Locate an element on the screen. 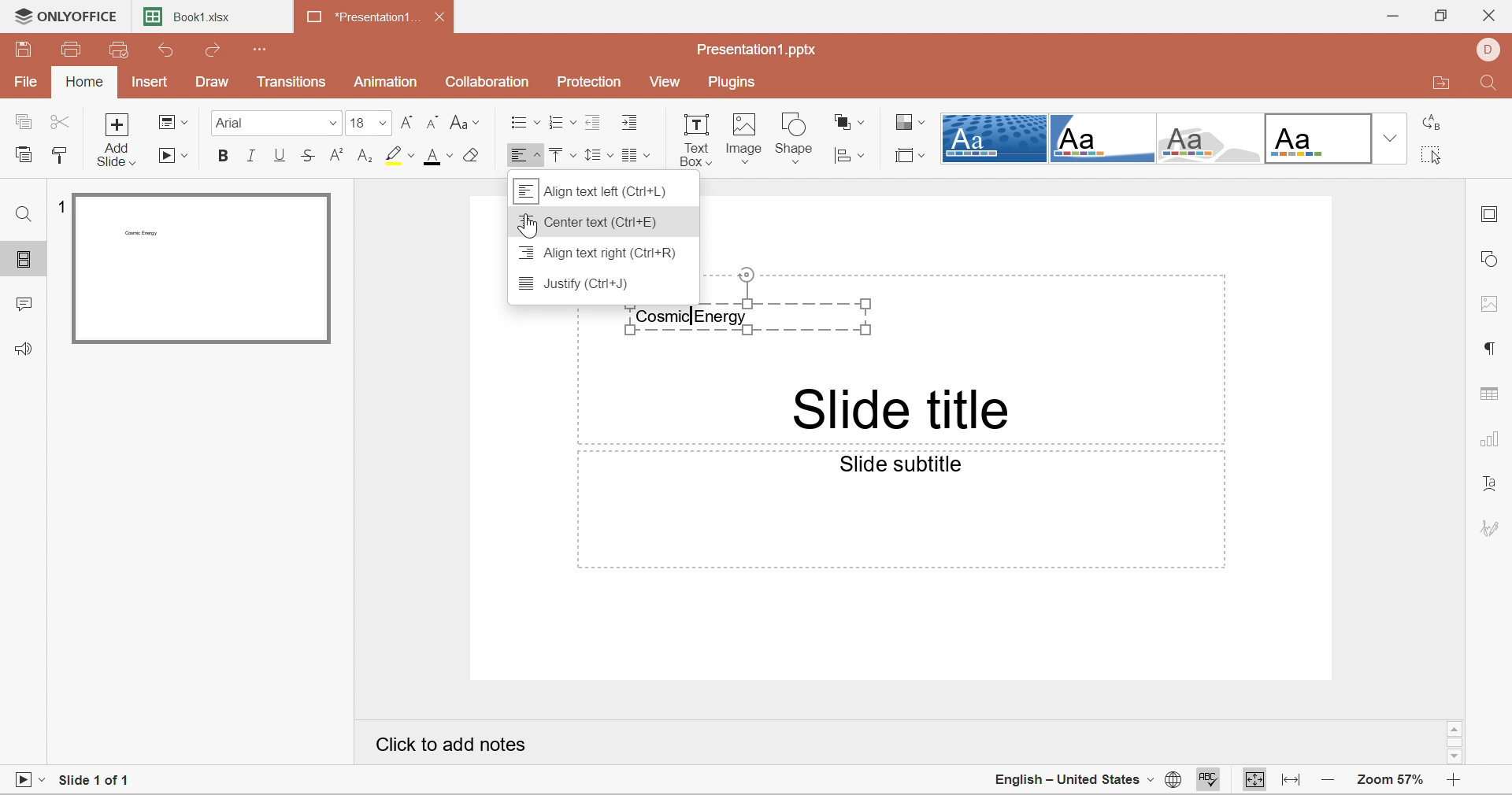 The height and width of the screenshot is (795, 1512). Cursor is located at coordinates (528, 227).